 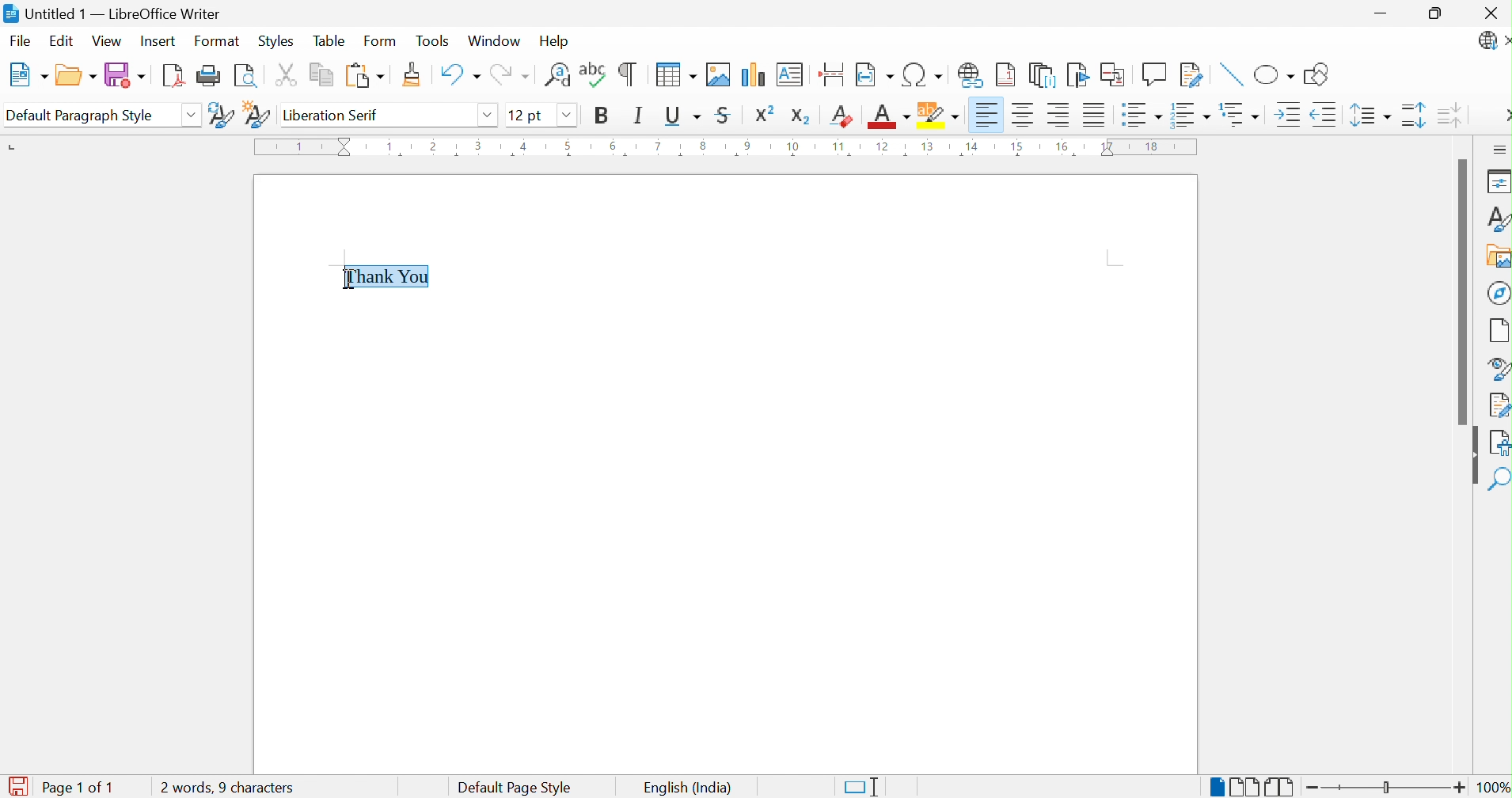 What do you see at coordinates (508, 74) in the screenshot?
I see `` at bounding box center [508, 74].